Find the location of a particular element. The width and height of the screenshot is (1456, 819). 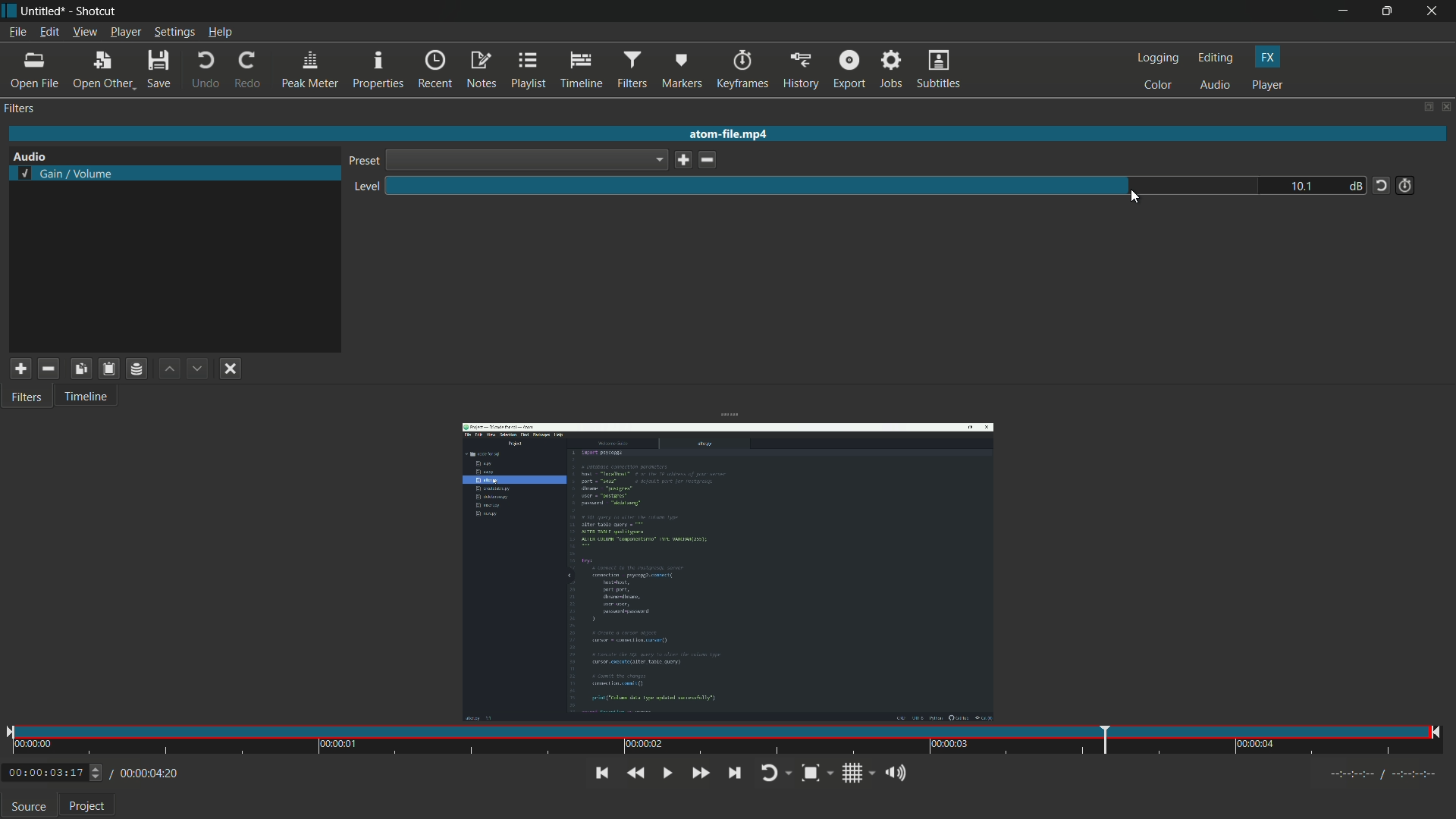

color is located at coordinates (1158, 86).